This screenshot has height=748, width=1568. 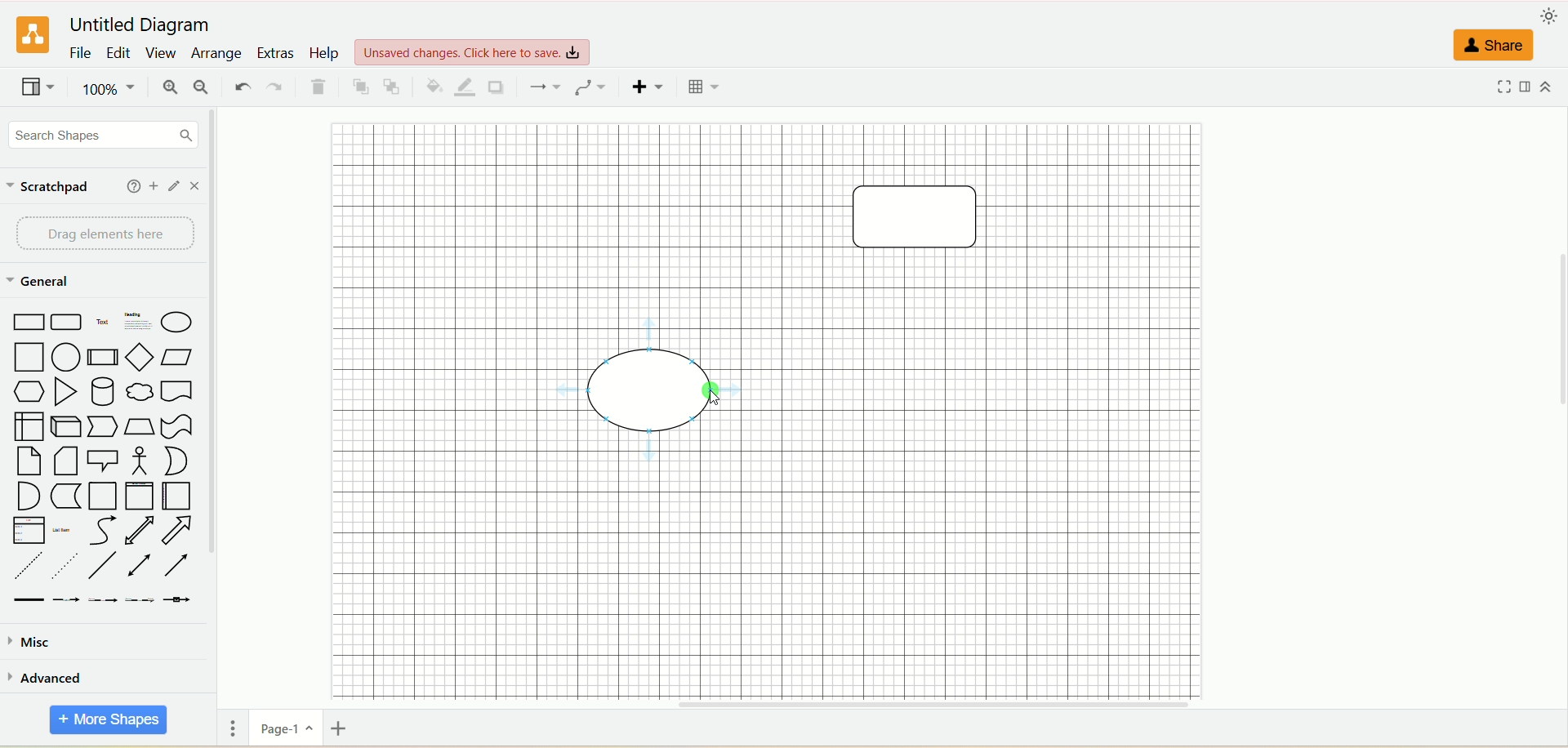 I want to click on edit, so click(x=119, y=53).